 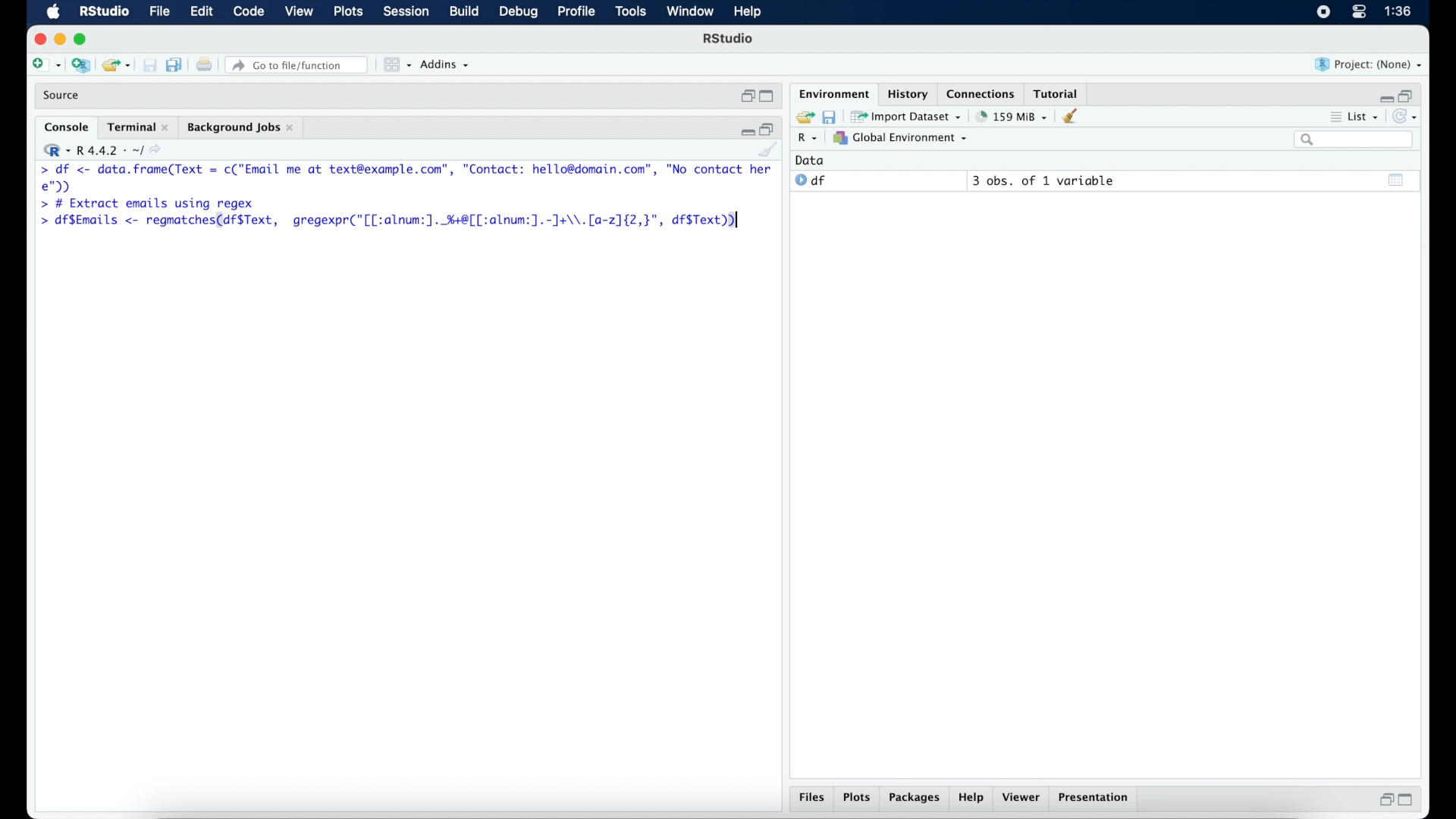 What do you see at coordinates (769, 151) in the screenshot?
I see `clear console` at bounding box center [769, 151].